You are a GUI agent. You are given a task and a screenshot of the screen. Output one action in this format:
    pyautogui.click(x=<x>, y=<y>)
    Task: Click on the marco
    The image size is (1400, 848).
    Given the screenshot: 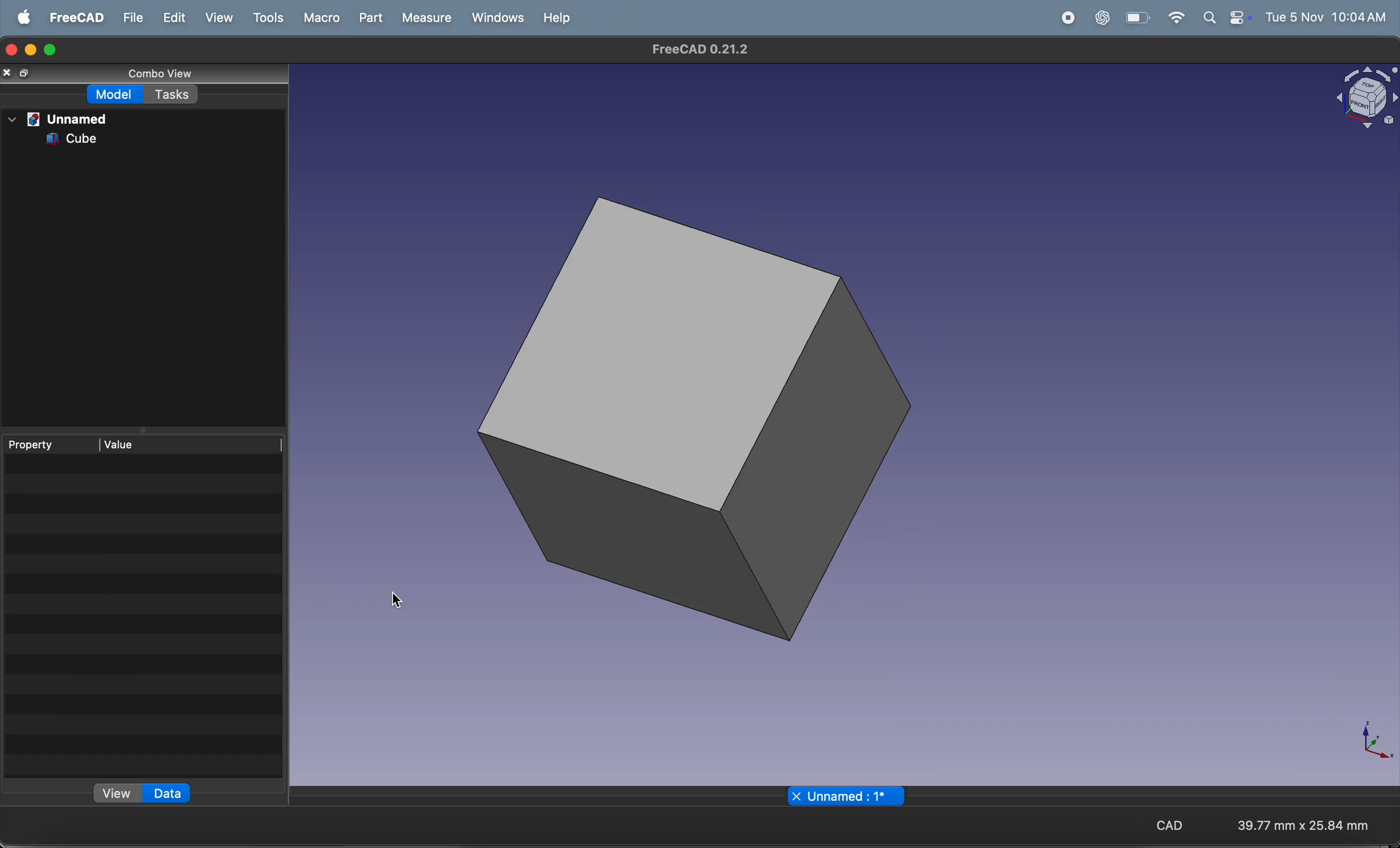 What is the action you would take?
    pyautogui.click(x=317, y=16)
    